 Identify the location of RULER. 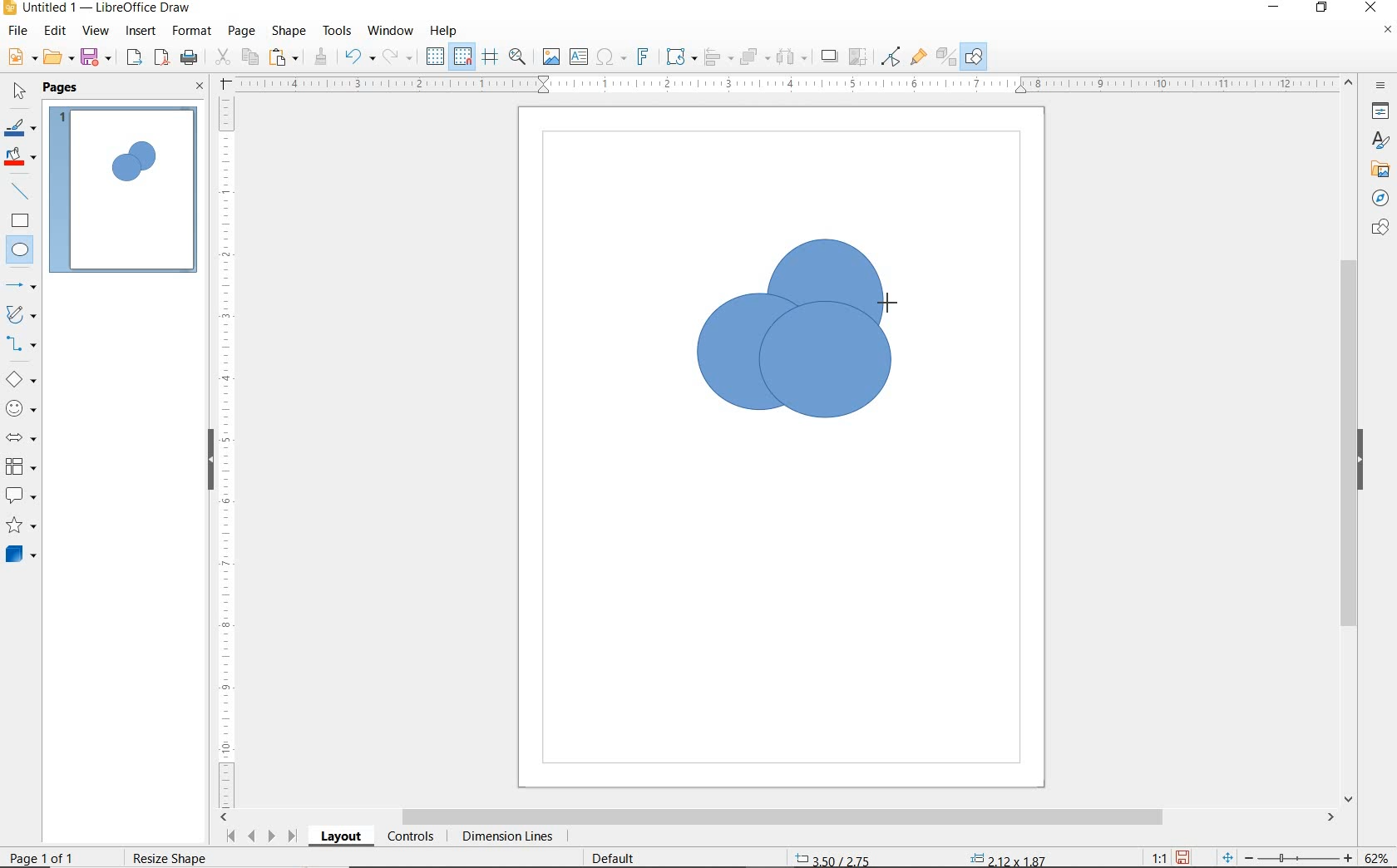
(228, 450).